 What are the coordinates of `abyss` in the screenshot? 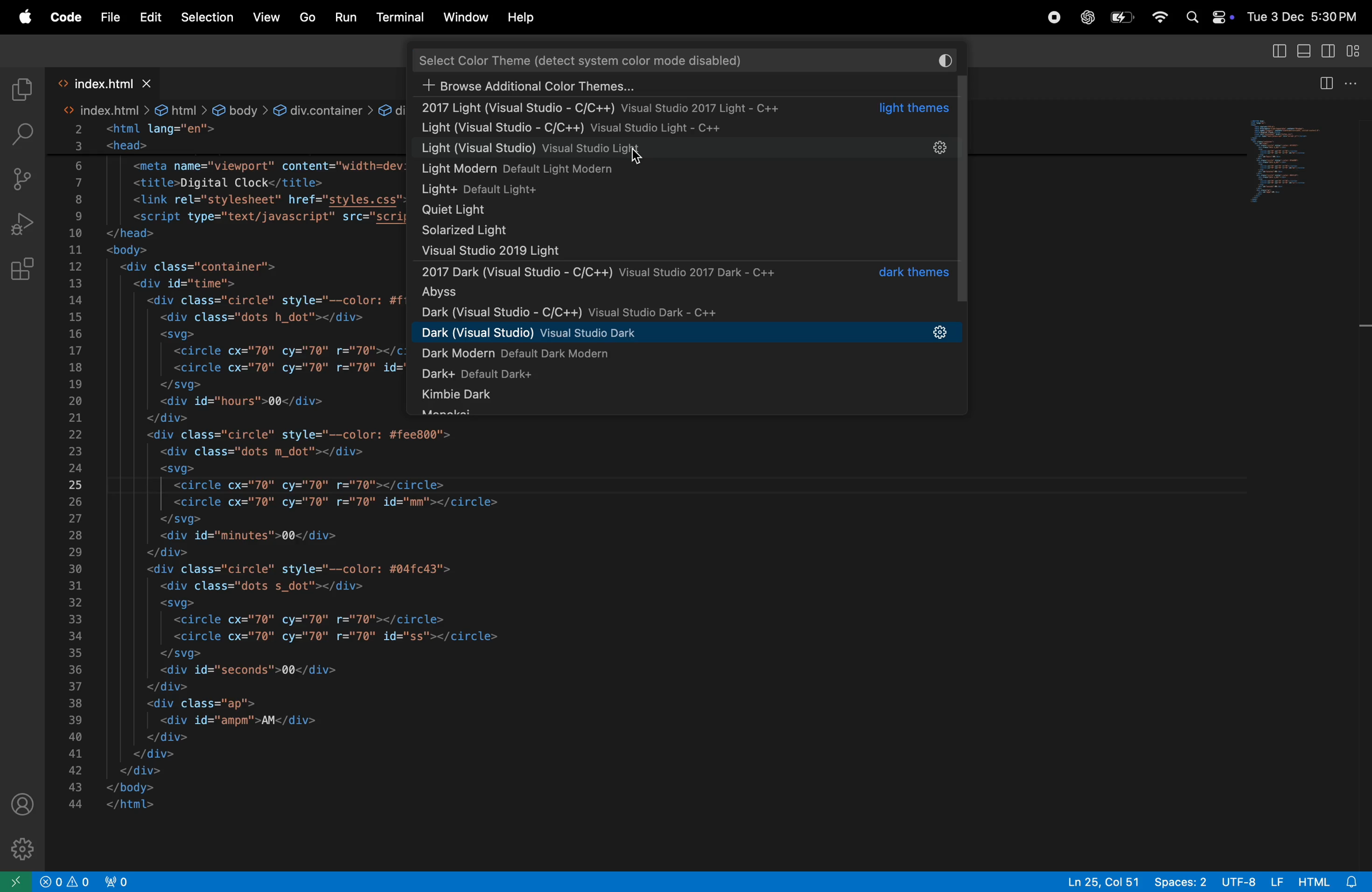 It's located at (684, 293).